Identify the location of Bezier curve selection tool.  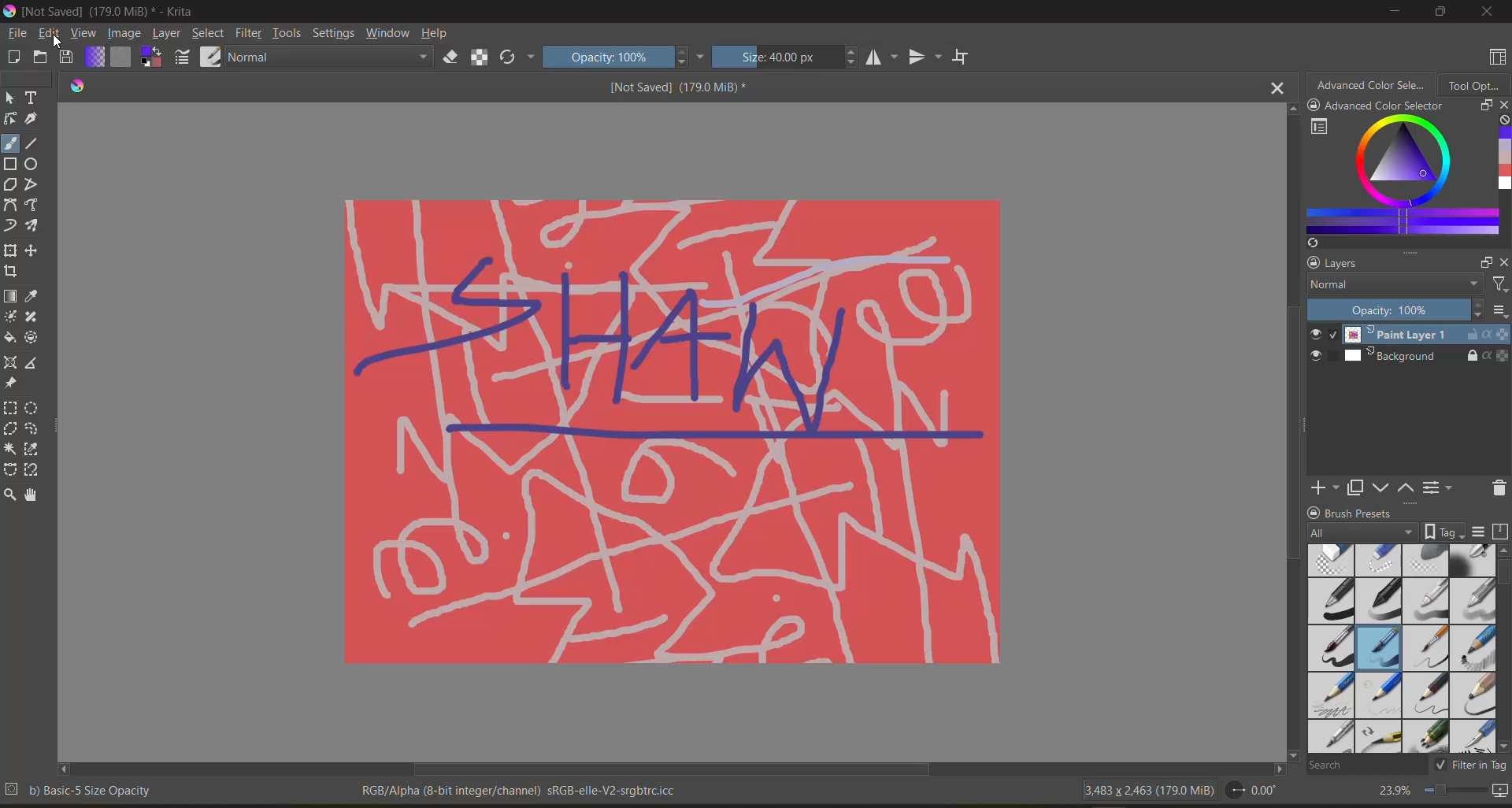
(12, 470).